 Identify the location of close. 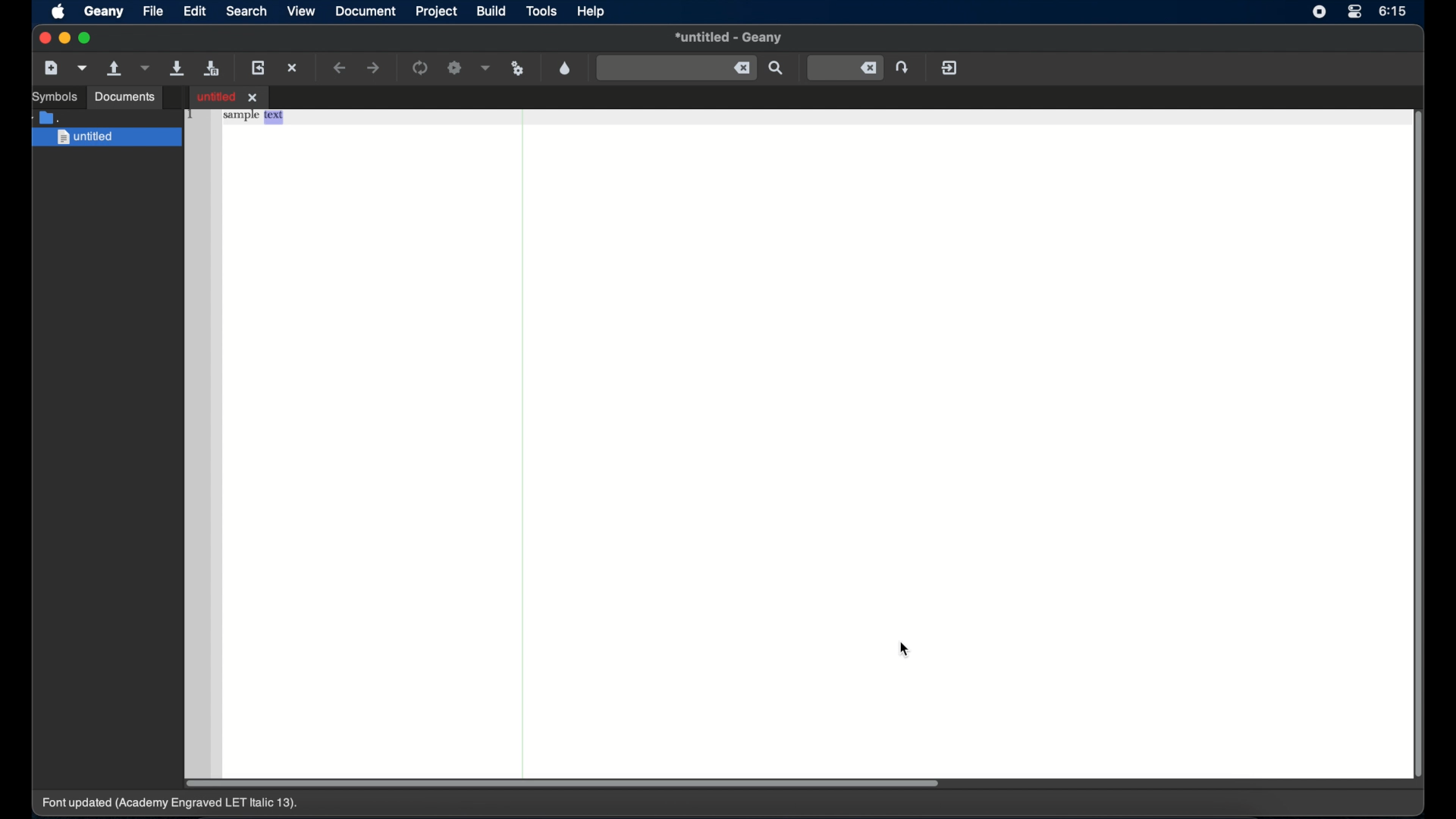
(43, 38).